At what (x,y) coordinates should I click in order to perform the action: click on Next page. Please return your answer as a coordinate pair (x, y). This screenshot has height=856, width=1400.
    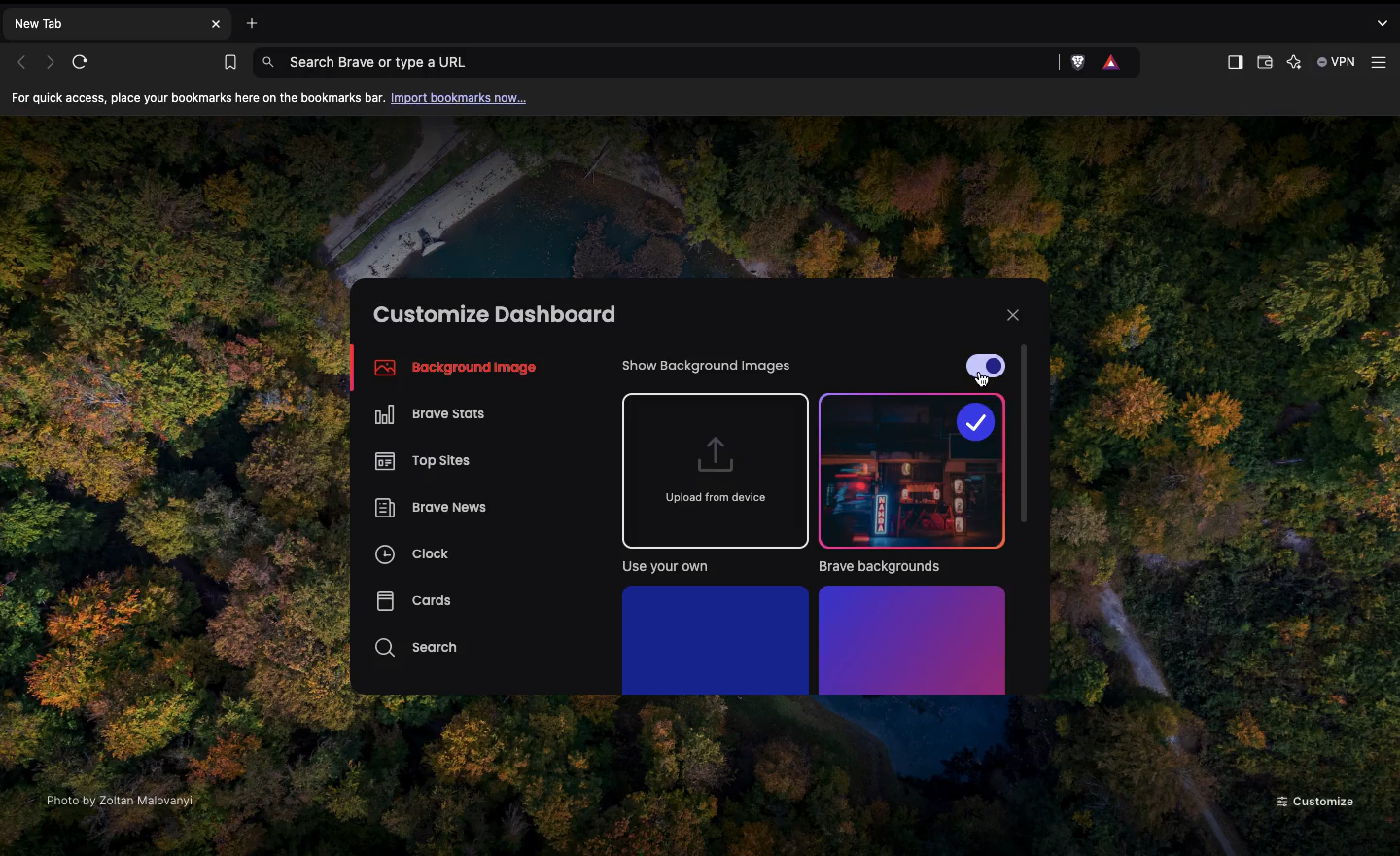
    Looking at the image, I should click on (52, 61).